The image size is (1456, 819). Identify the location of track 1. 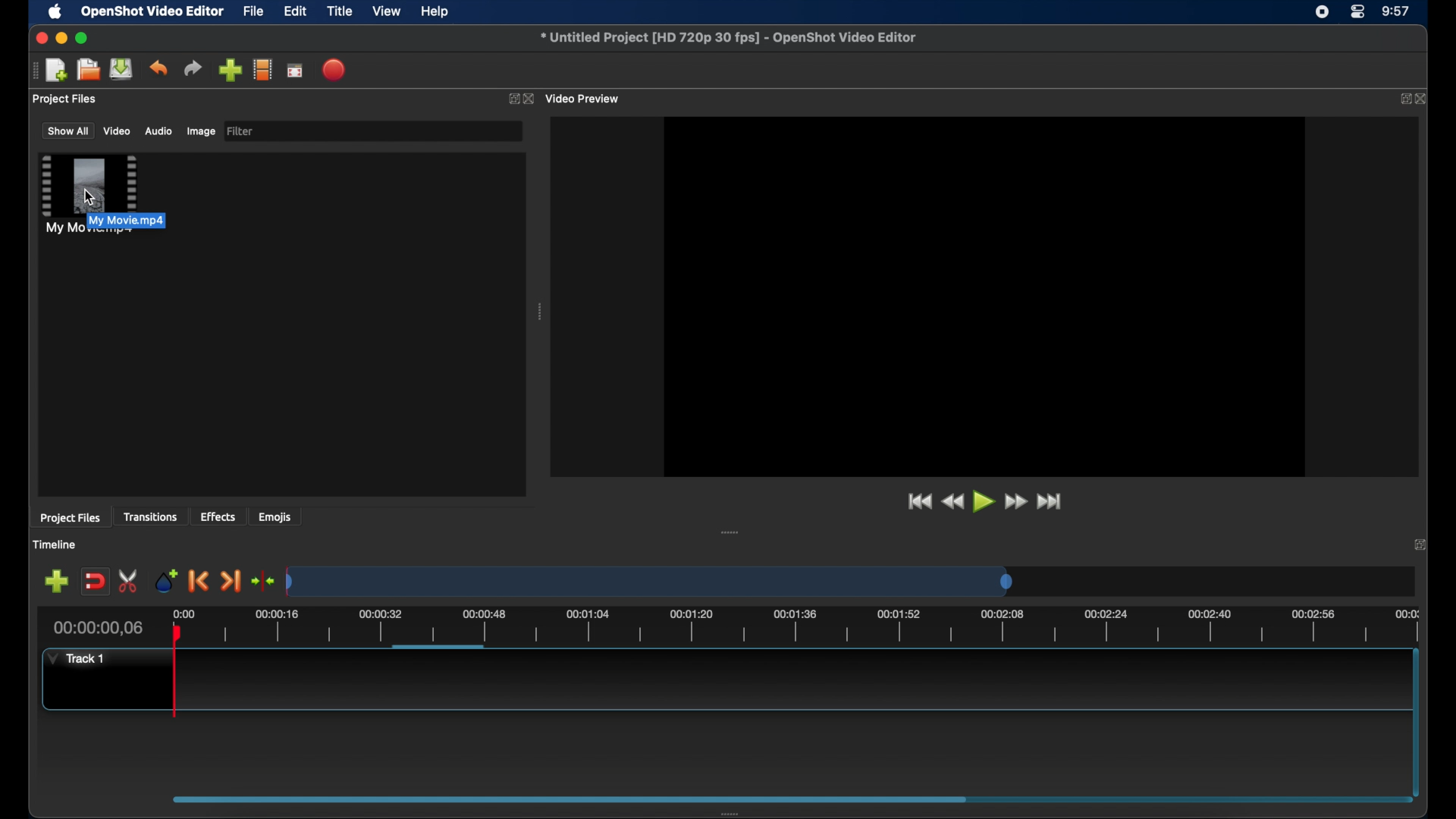
(80, 658).